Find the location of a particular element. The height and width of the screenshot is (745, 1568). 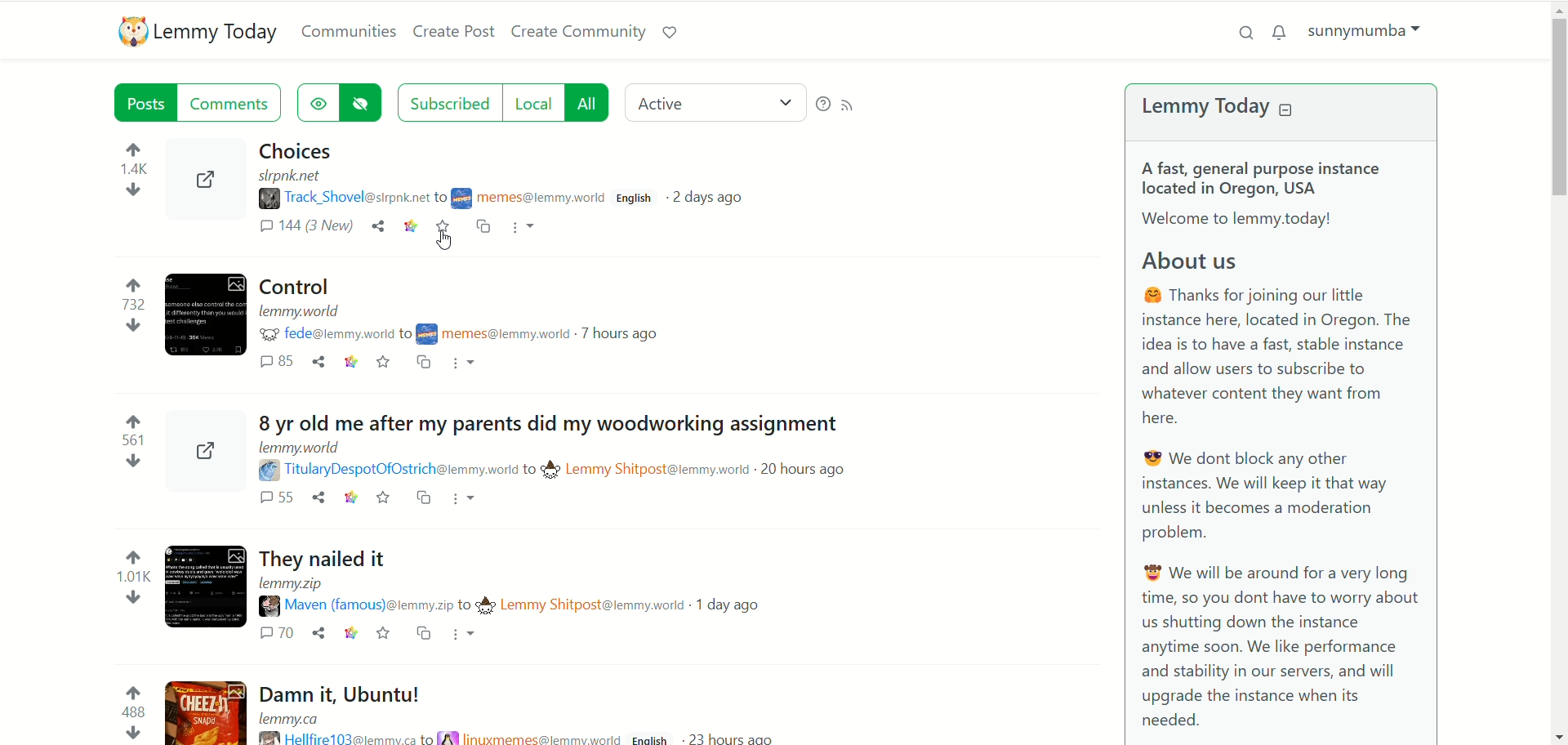

lemmy today is located at coordinates (1219, 109).